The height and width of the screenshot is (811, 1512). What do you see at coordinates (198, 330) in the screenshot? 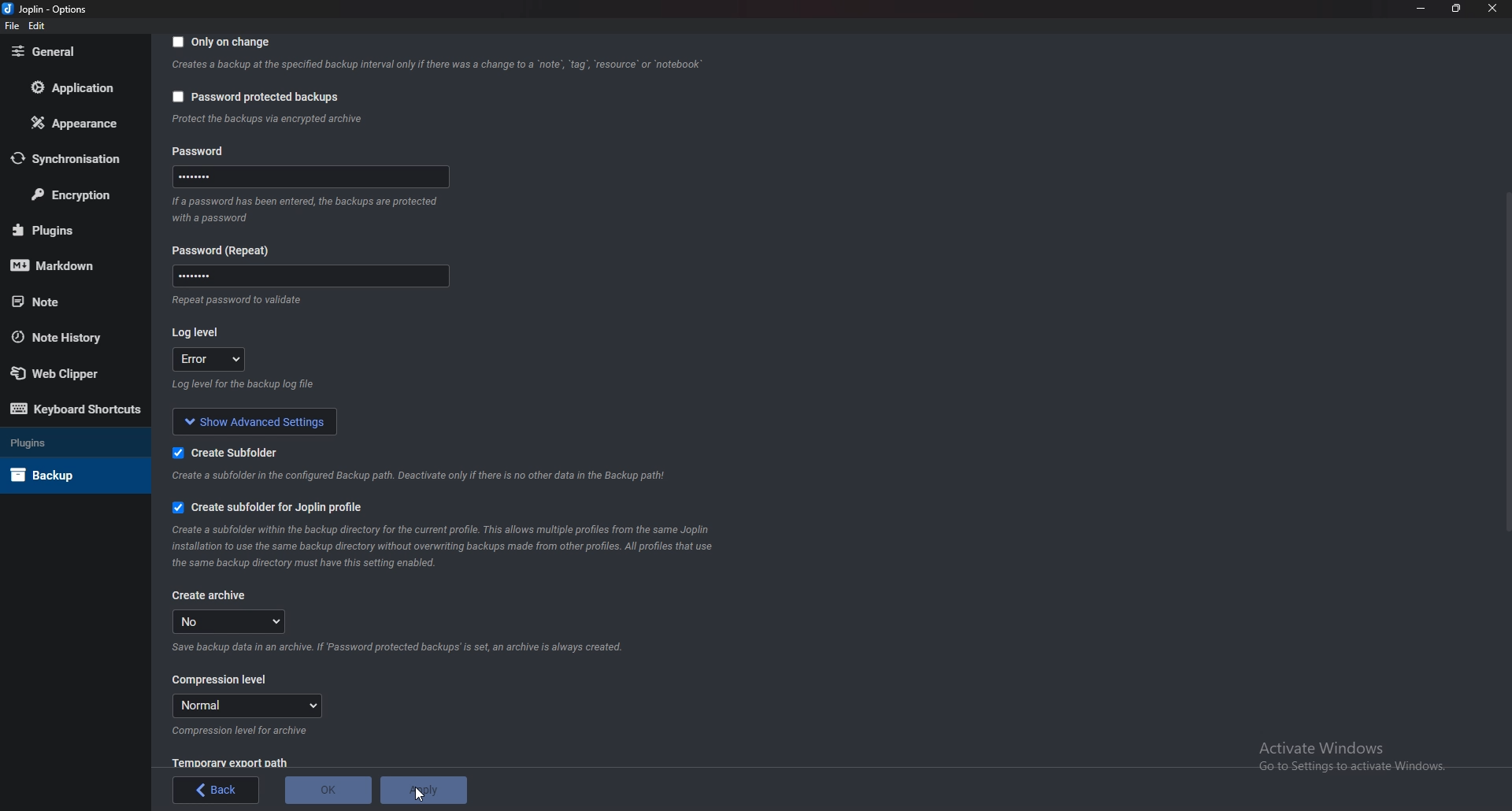
I see `Log level` at bounding box center [198, 330].